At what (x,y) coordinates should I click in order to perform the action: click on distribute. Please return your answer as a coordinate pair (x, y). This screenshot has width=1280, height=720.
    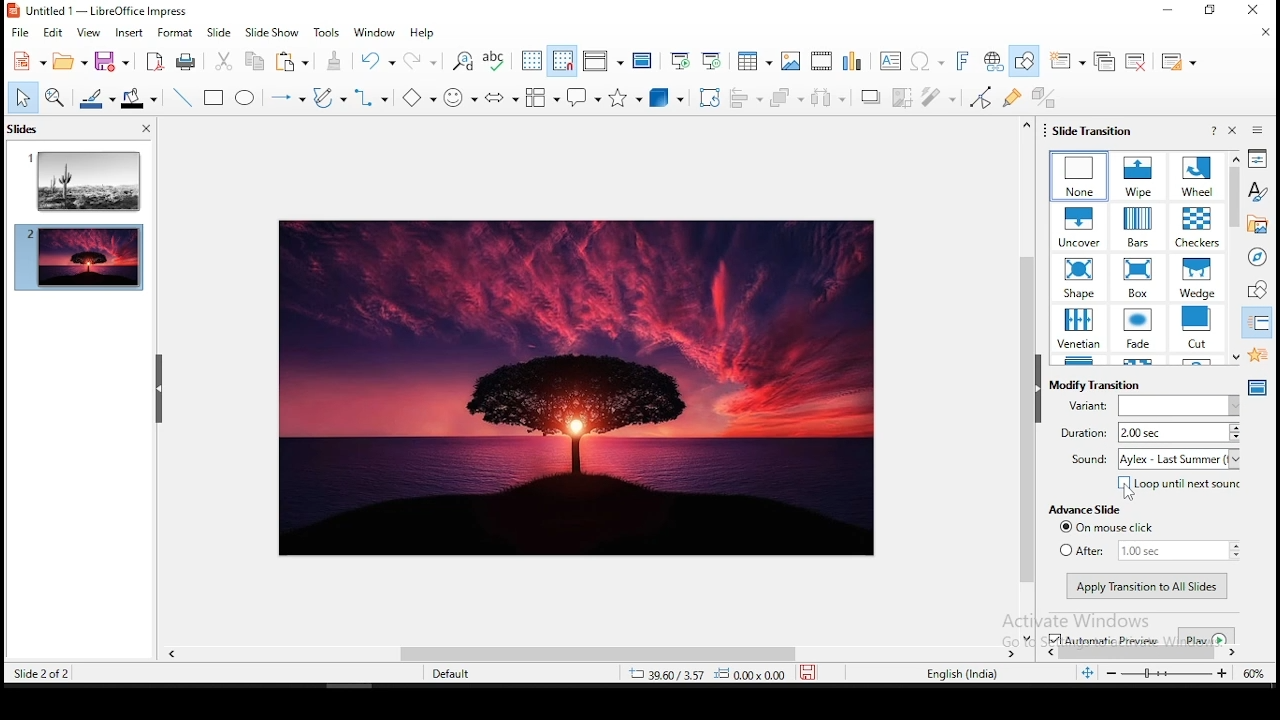
    Looking at the image, I should click on (833, 98).